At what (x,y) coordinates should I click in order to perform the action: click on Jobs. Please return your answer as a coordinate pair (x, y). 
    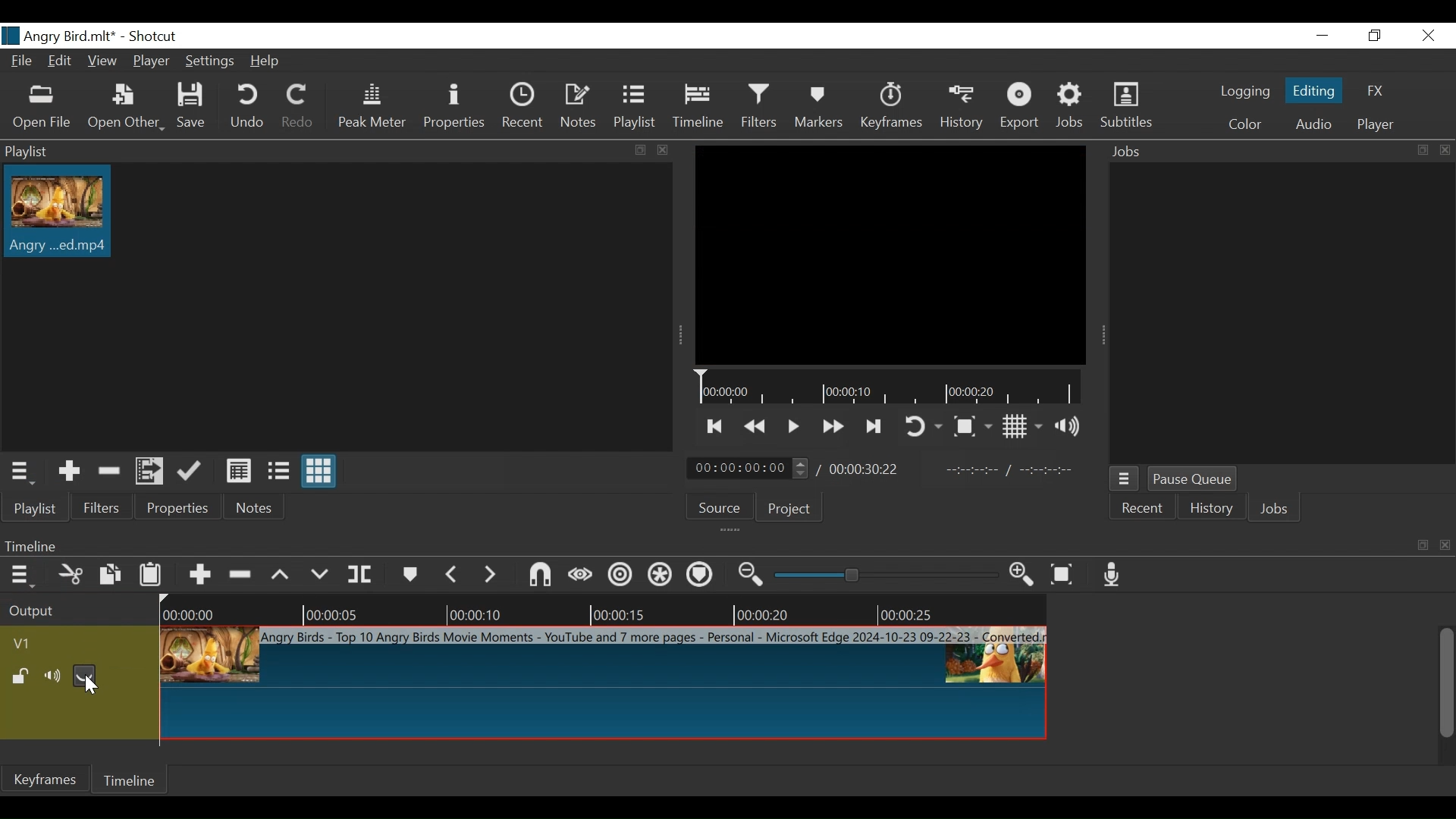
    Looking at the image, I should click on (1072, 107).